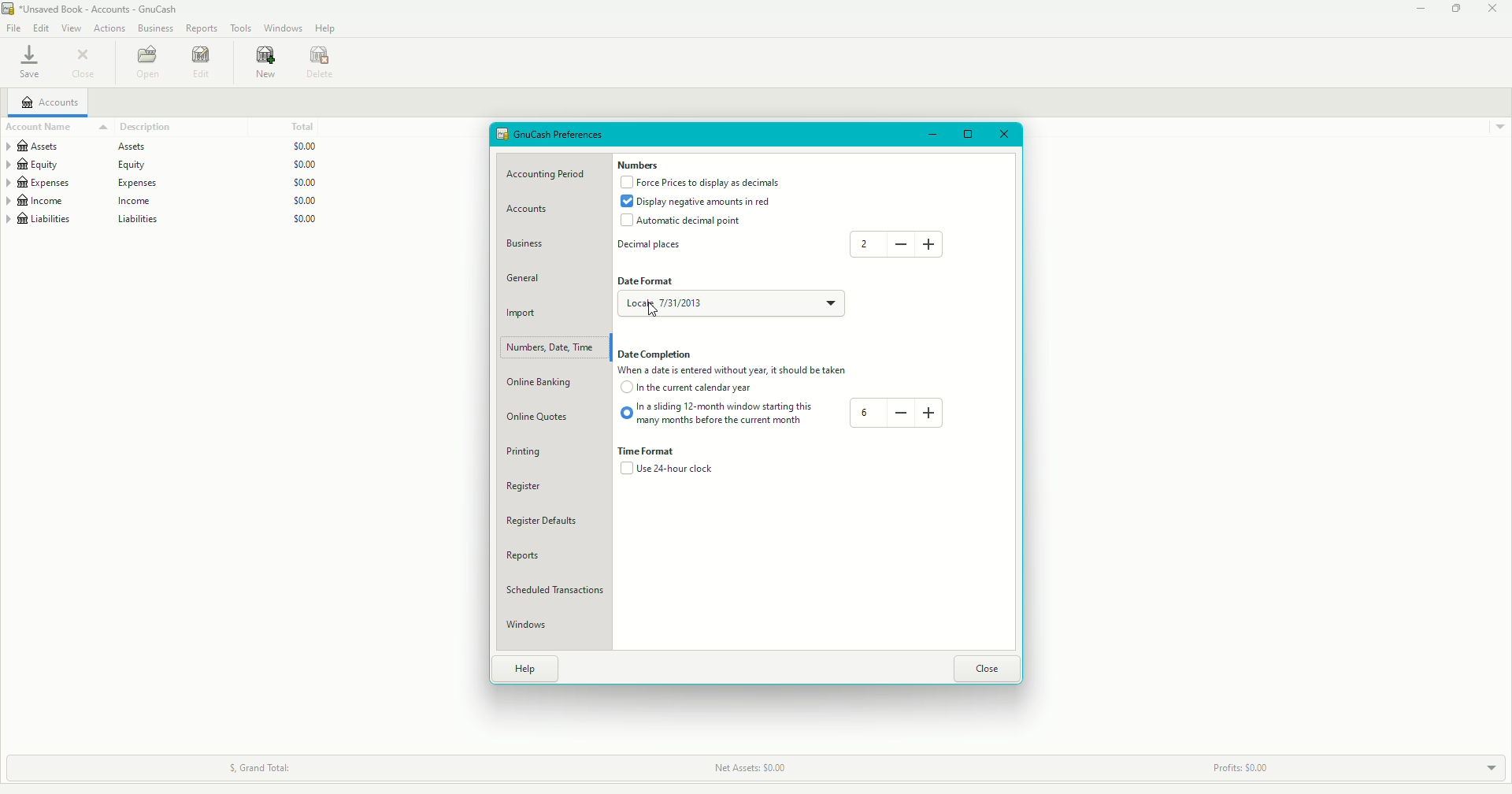  Describe the element at coordinates (528, 557) in the screenshot. I see `Reports` at that location.